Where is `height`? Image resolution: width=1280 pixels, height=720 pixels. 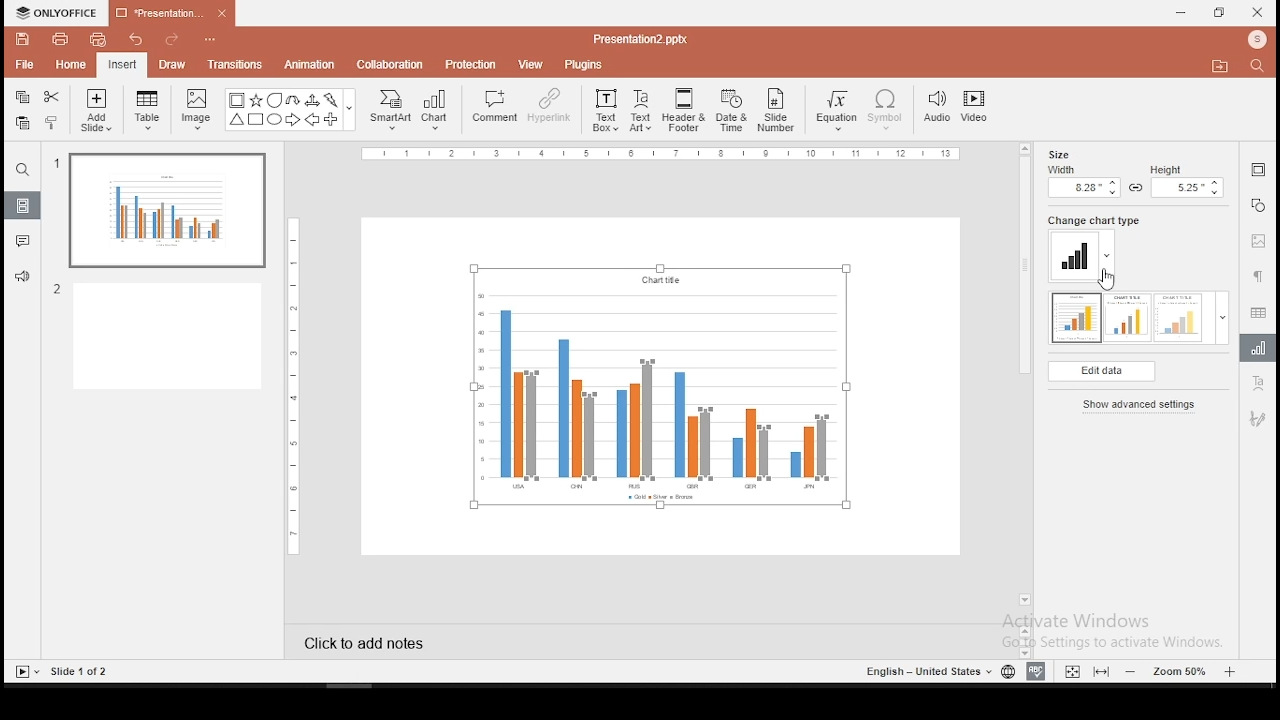
height is located at coordinates (1188, 182).